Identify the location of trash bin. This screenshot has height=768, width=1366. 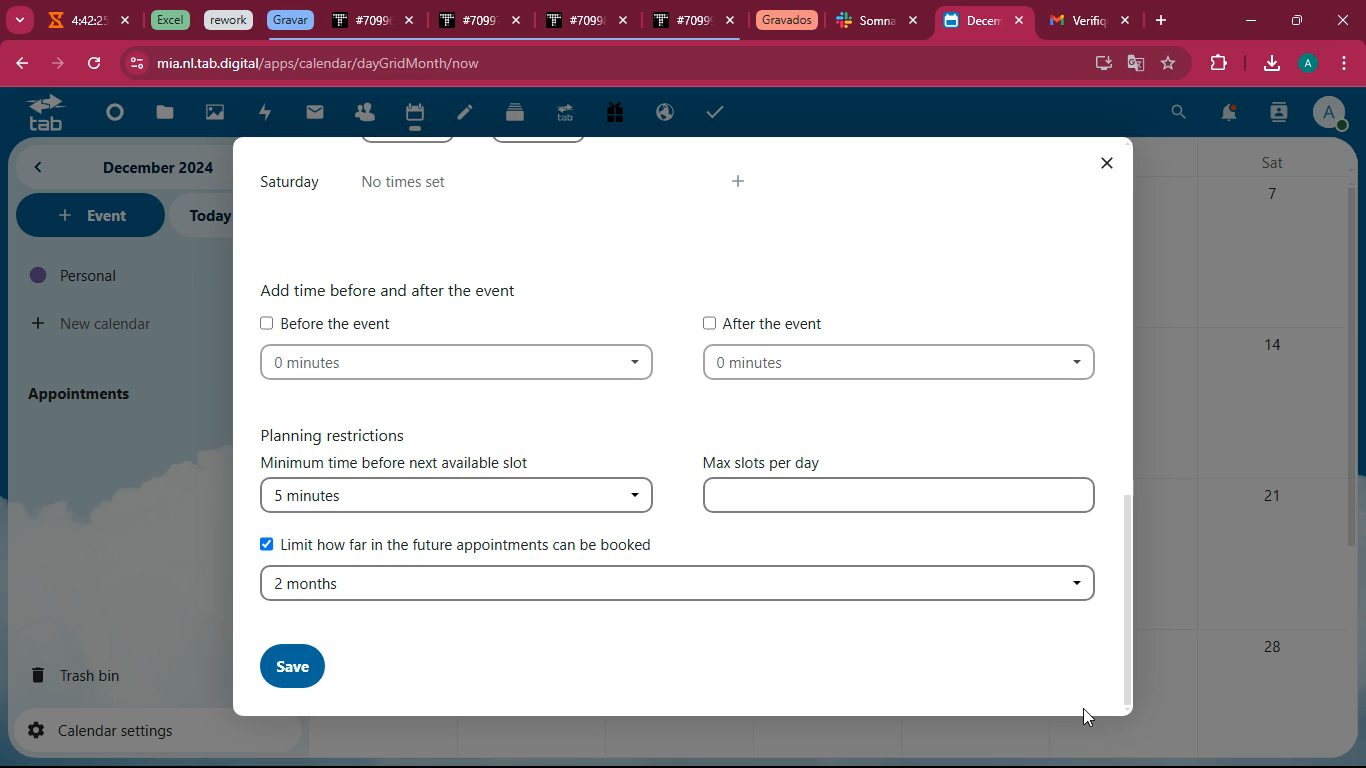
(96, 674).